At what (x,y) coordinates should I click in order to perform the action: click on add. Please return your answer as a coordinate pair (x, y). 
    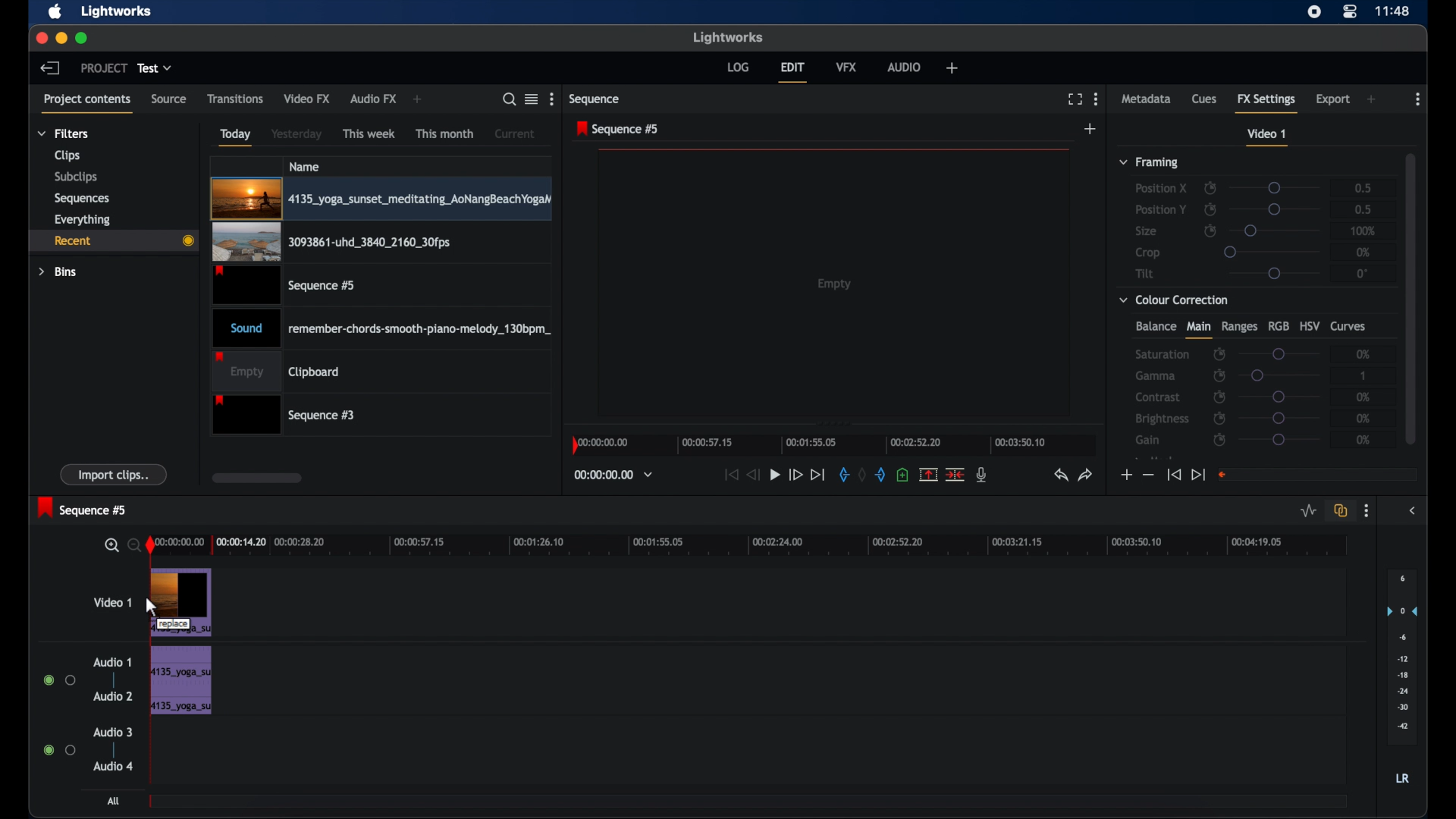
    Looking at the image, I should click on (419, 100).